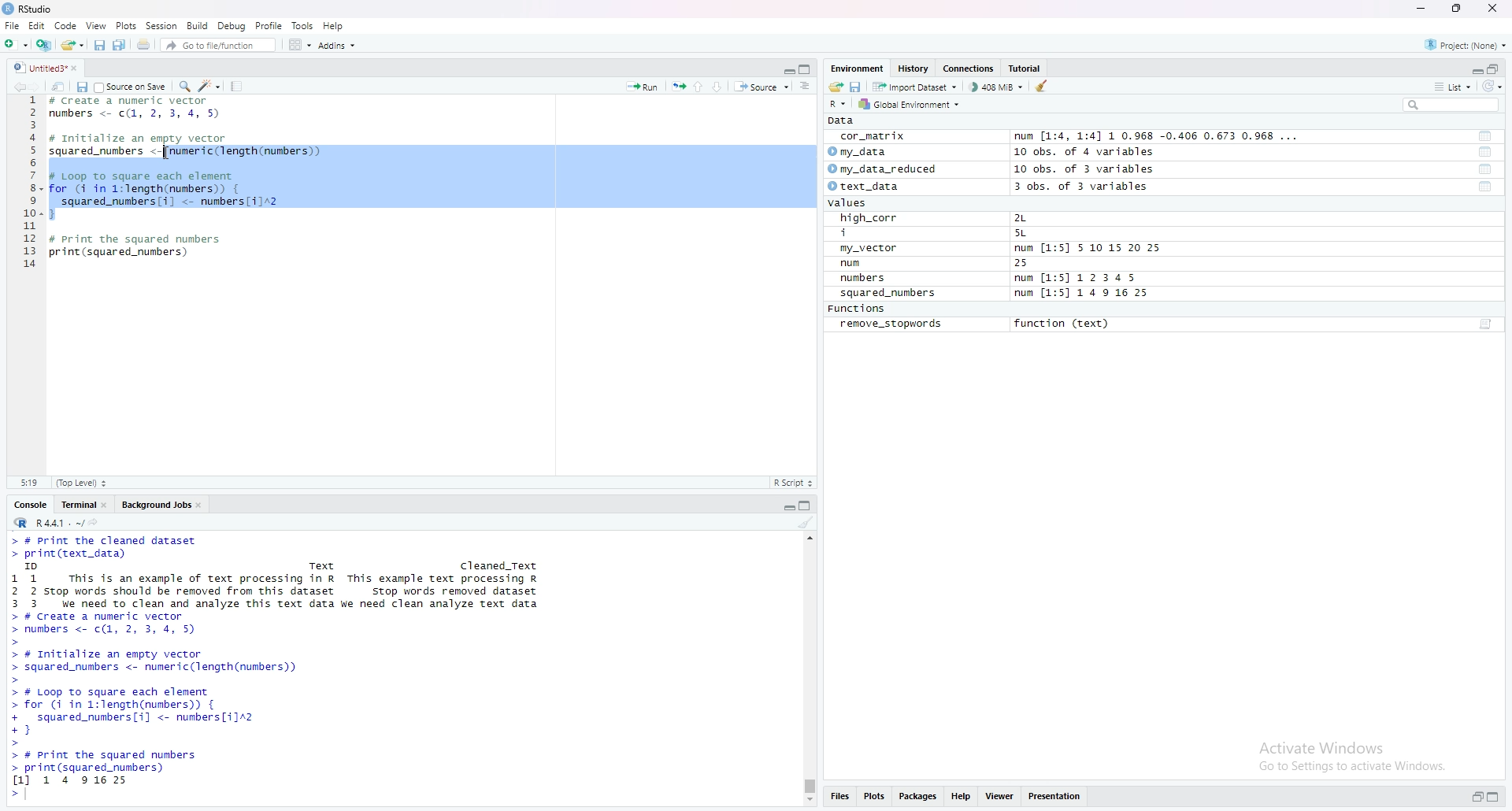  I want to click on Project: (None), so click(1467, 43).